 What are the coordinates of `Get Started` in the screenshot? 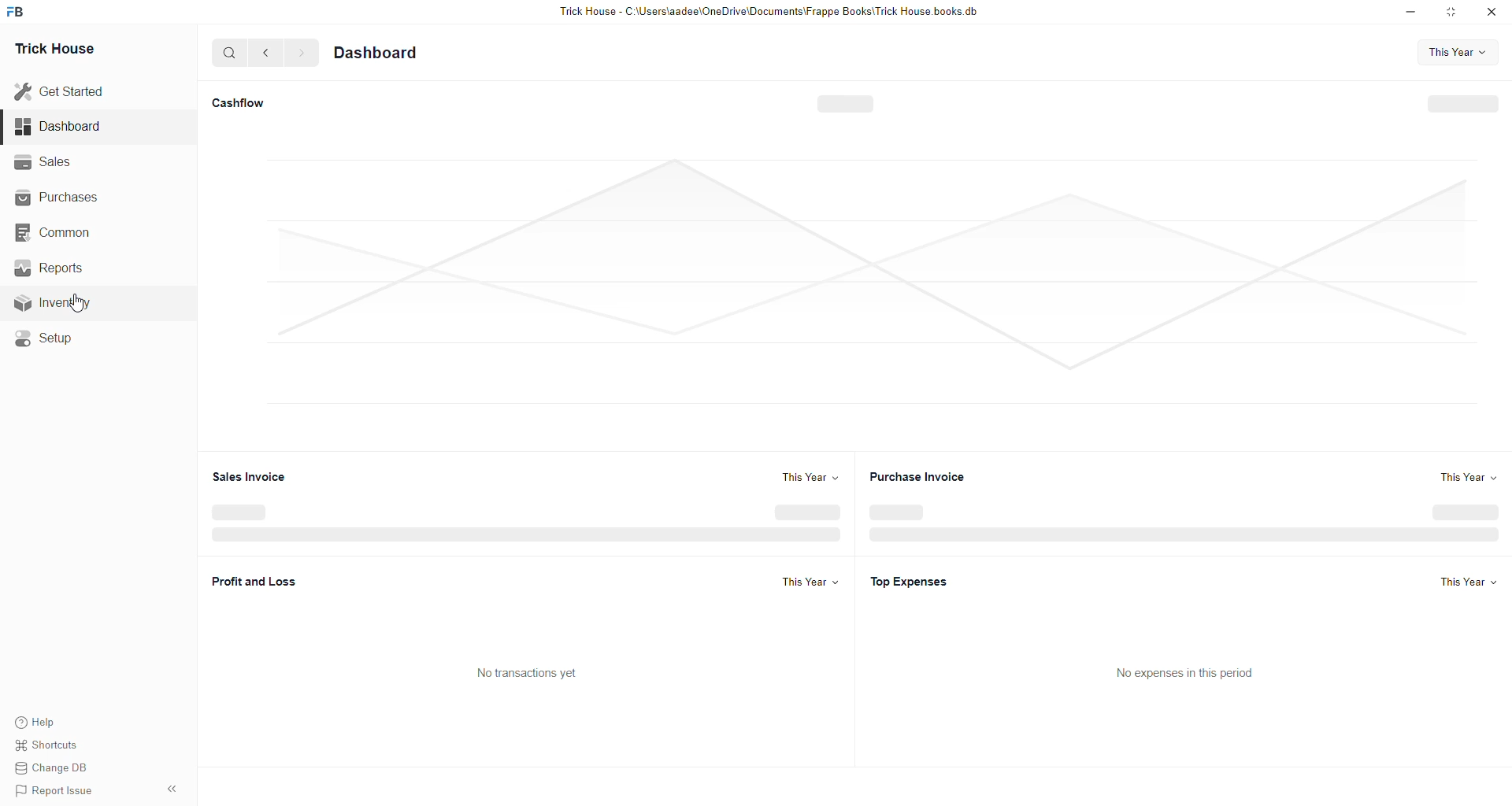 It's located at (61, 94).